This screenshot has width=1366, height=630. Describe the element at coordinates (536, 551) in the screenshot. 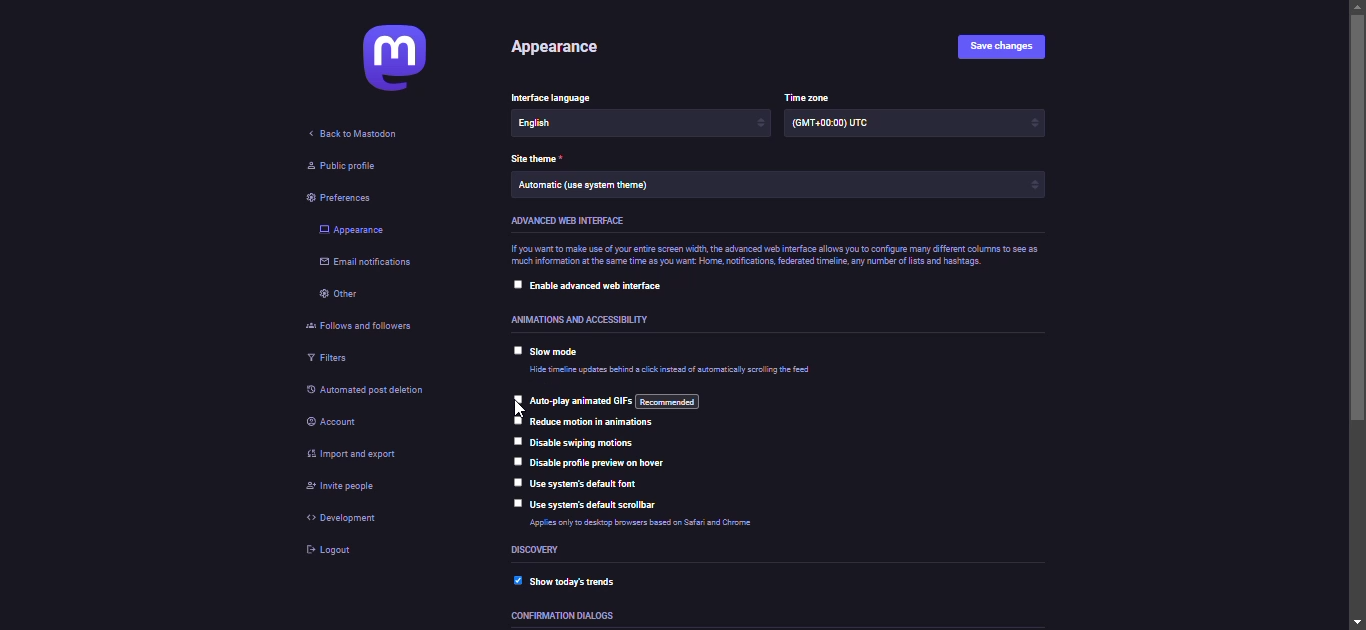

I see `discovery` at that location.